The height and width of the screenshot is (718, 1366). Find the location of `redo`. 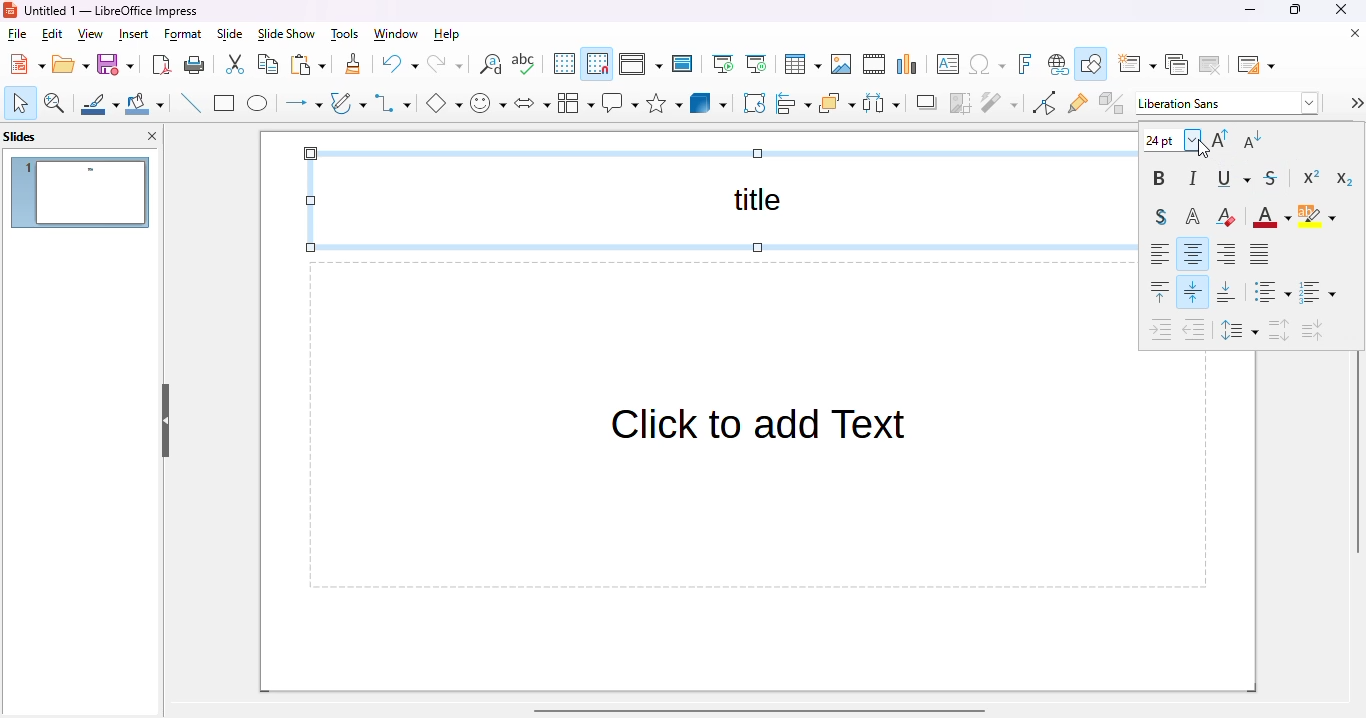

redo is located at coordinates (445, 64).